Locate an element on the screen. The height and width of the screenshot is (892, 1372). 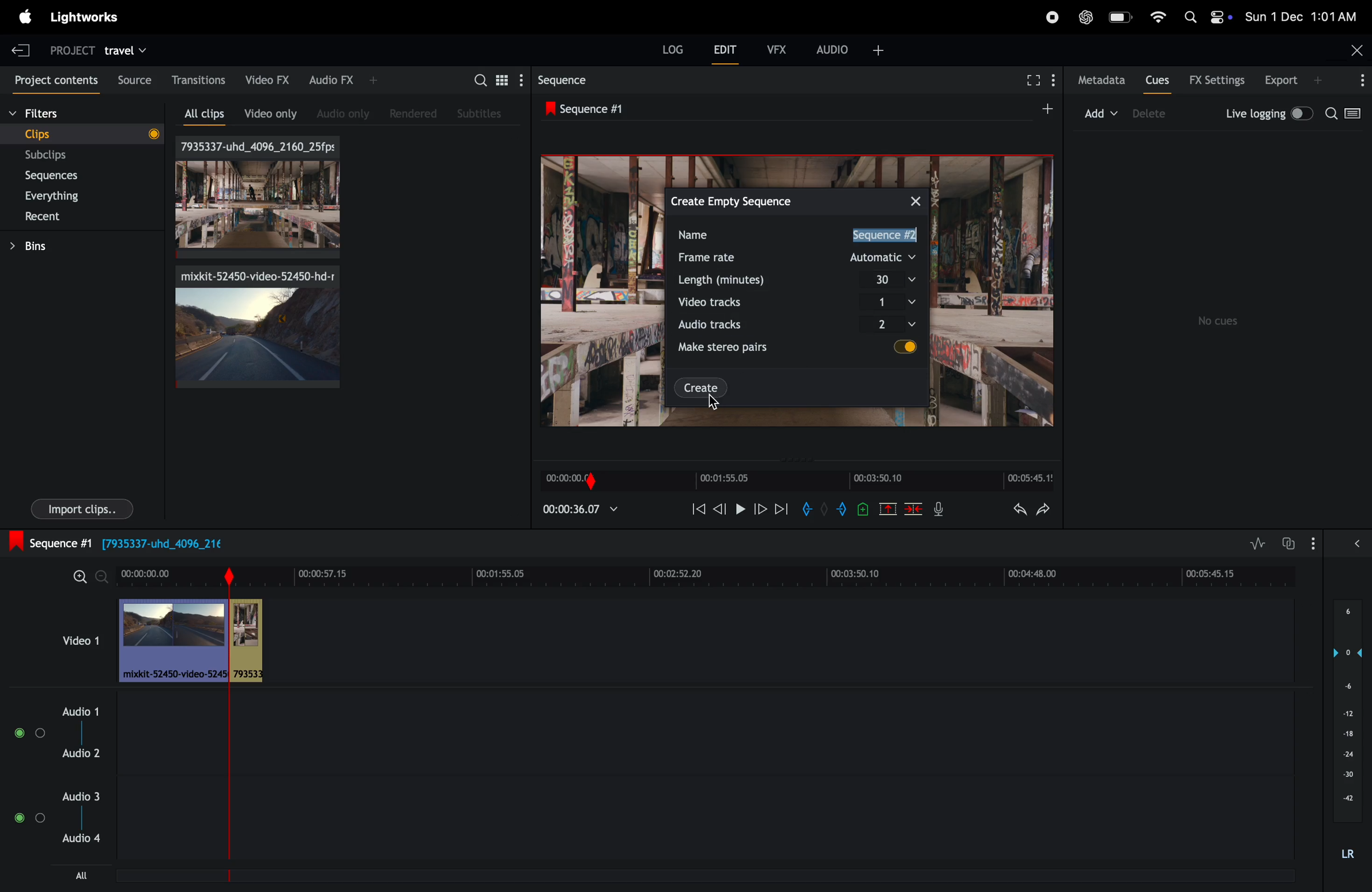
create empty sequence is located at coordinates (735, 200).